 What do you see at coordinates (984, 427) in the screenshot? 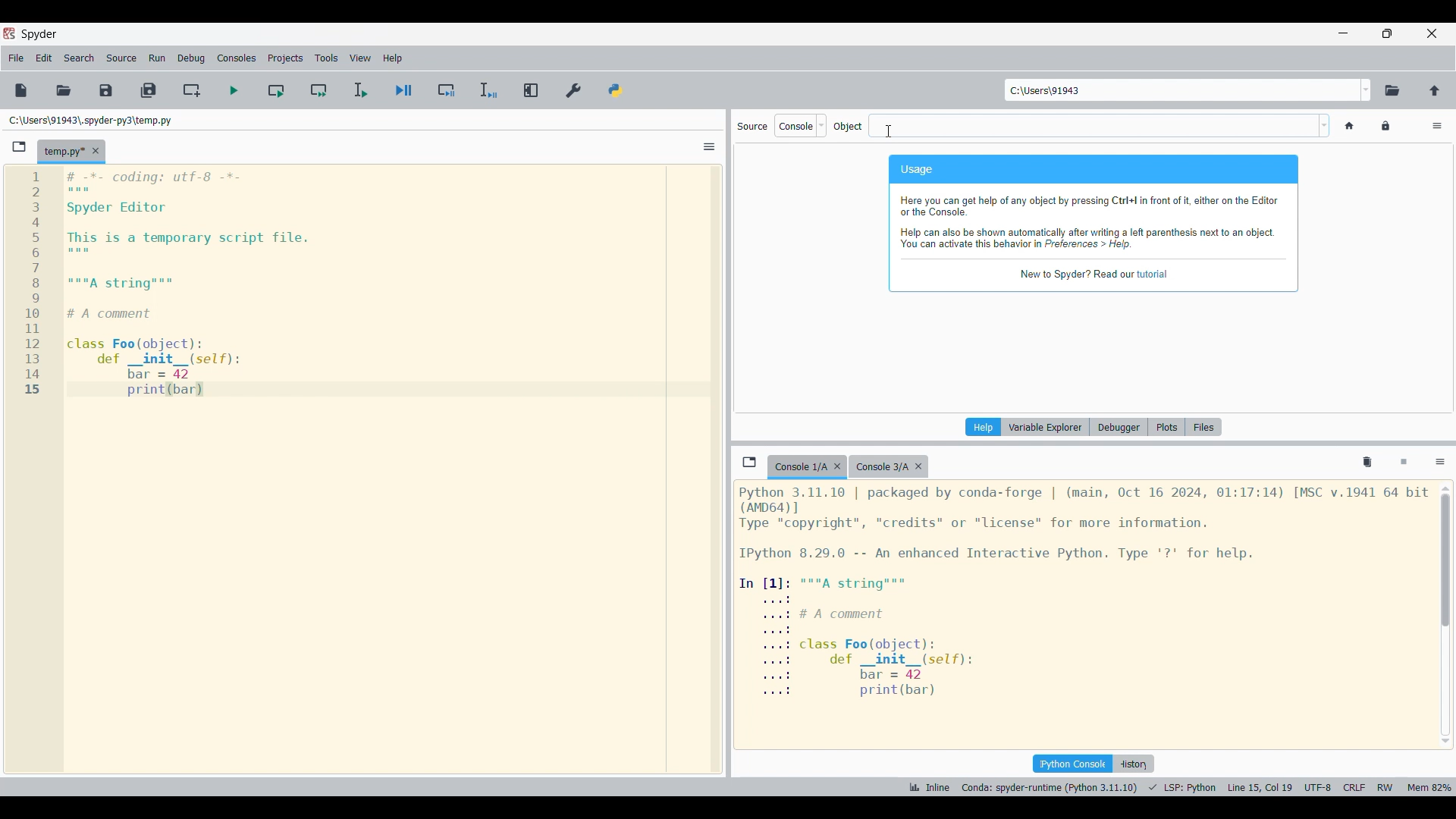
I see `Current pane highlighted` at bounding box center [984, 427].